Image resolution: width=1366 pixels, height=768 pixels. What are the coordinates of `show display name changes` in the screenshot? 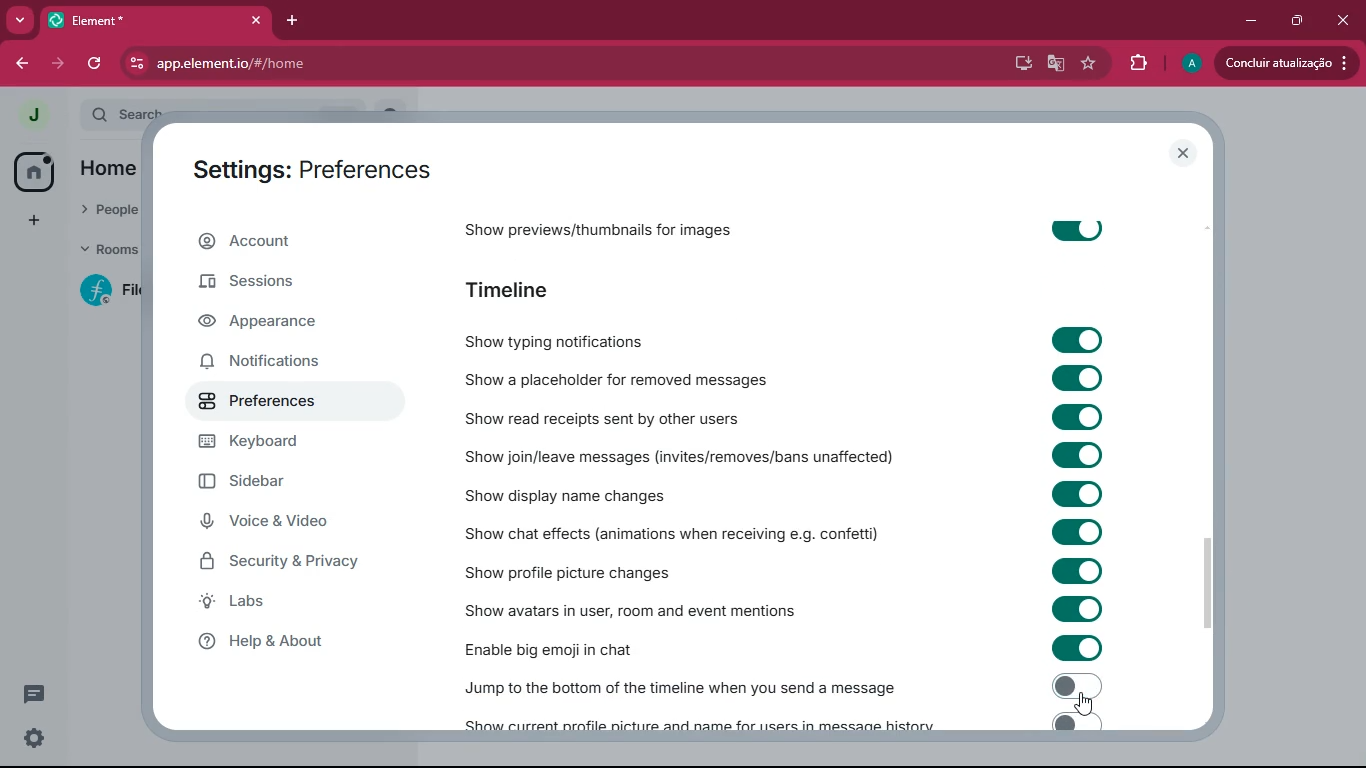 It's located at (575, 494).